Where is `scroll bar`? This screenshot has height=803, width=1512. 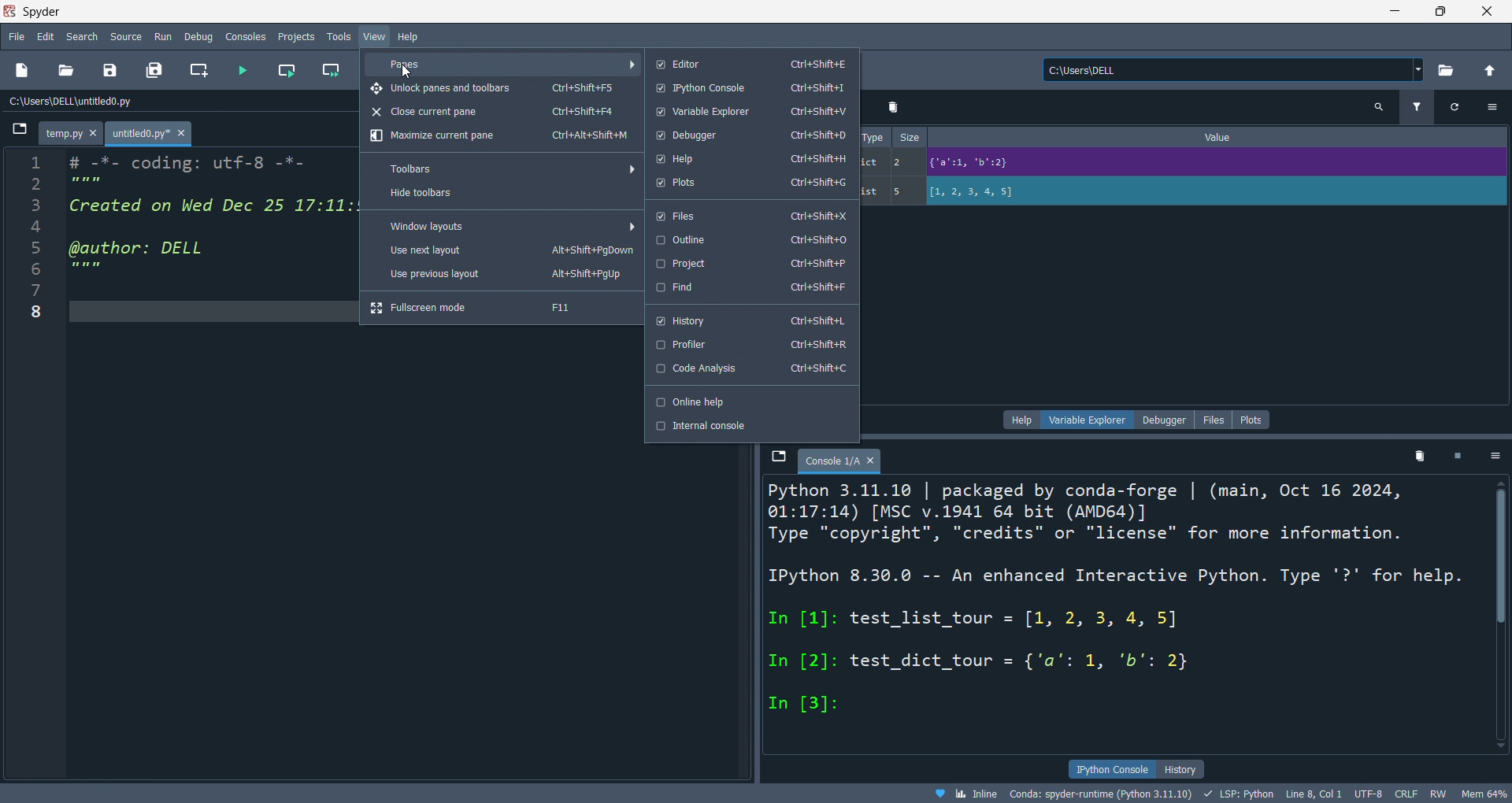
scroll bar is located at coordinates (1495, 612).